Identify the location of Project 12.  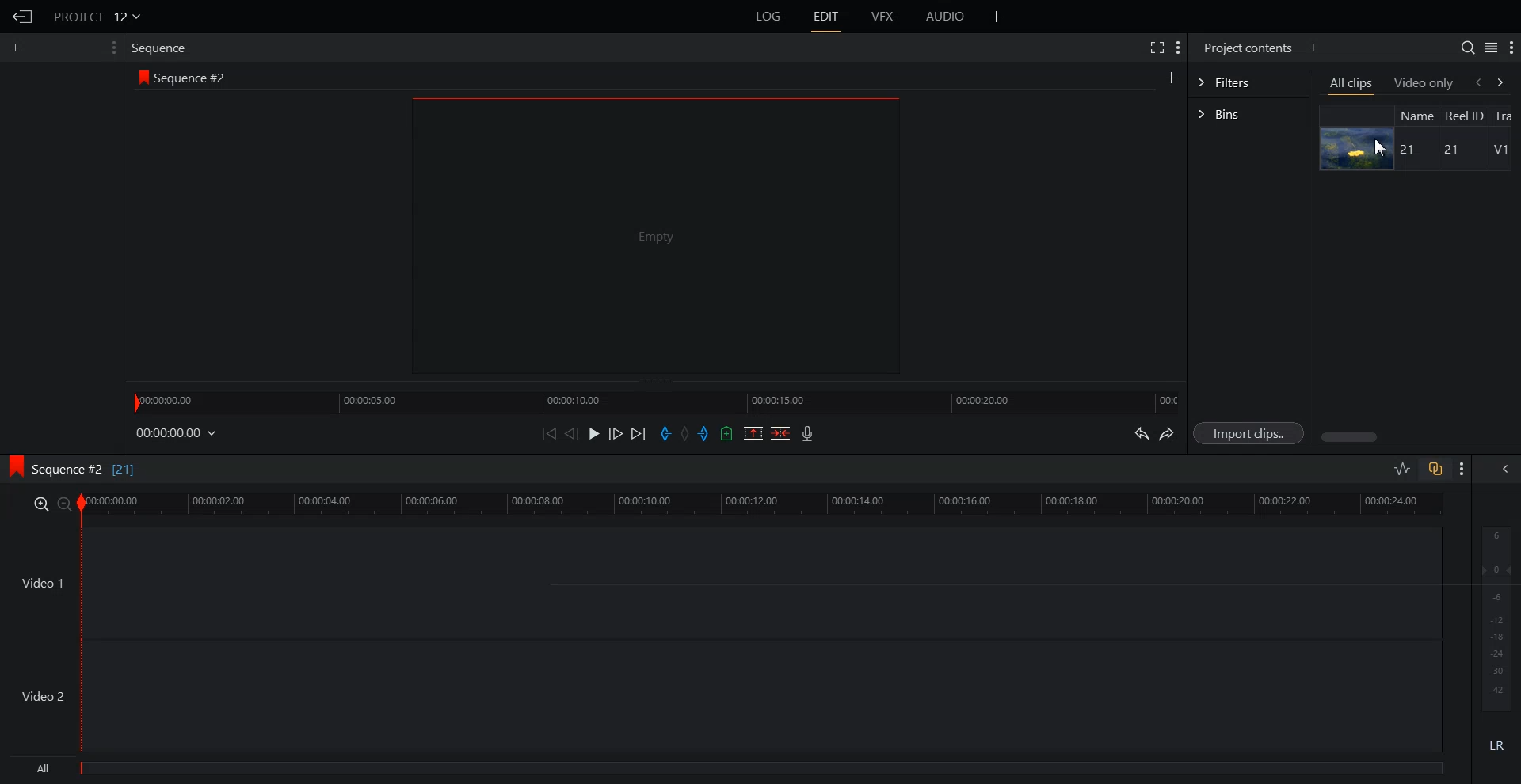
(96, 15).